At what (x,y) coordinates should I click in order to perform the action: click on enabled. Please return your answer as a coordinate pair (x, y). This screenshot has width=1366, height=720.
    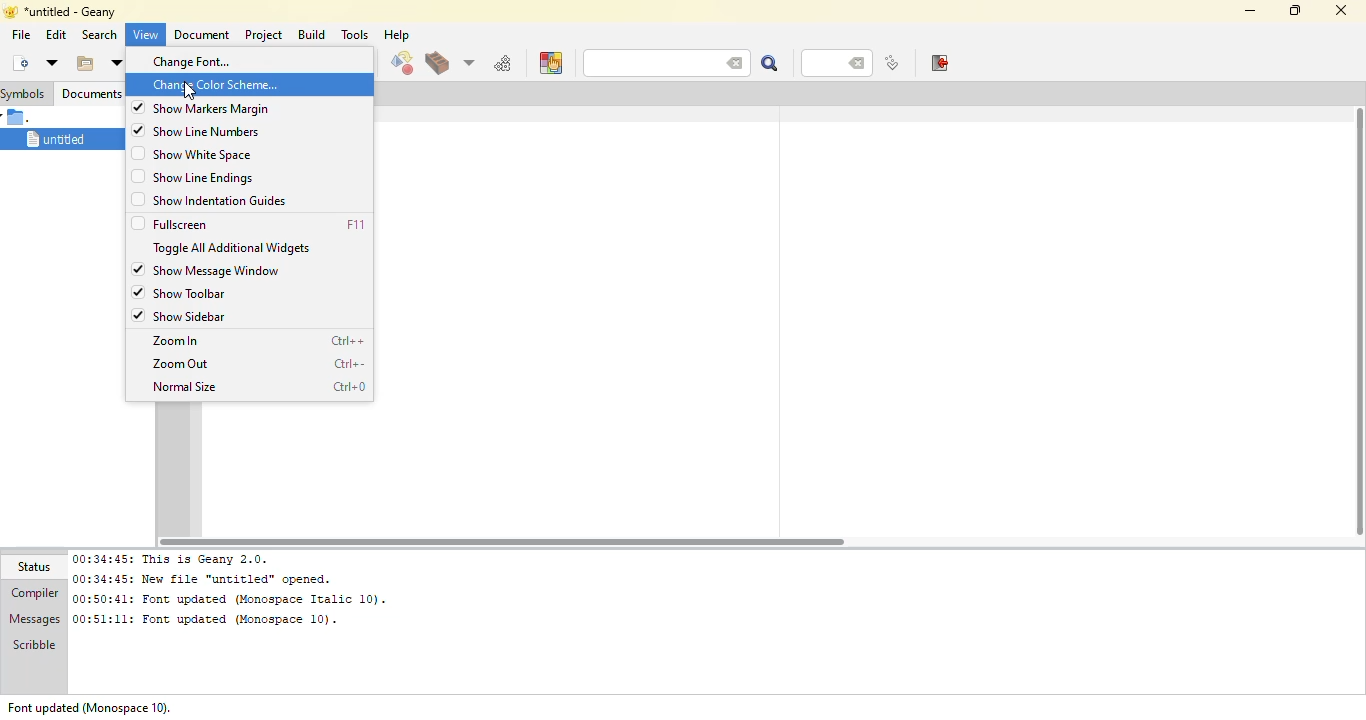
    Looking at the image, I should click on (138, 129).